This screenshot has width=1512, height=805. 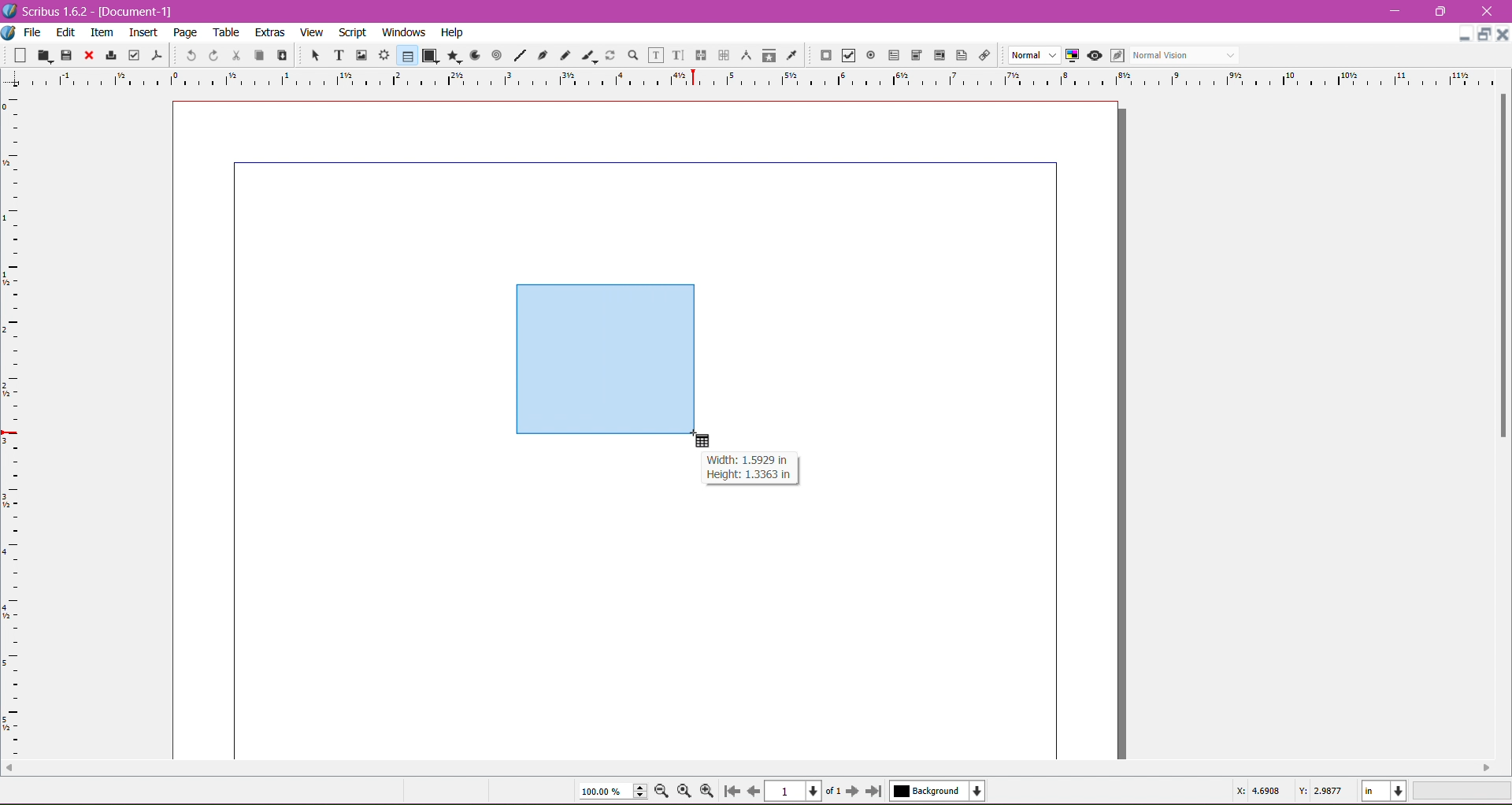 What do you see at coordinates (769, 54) in the screenshot?
I see `Copy Item Properties` at bounding box center [769, 54].